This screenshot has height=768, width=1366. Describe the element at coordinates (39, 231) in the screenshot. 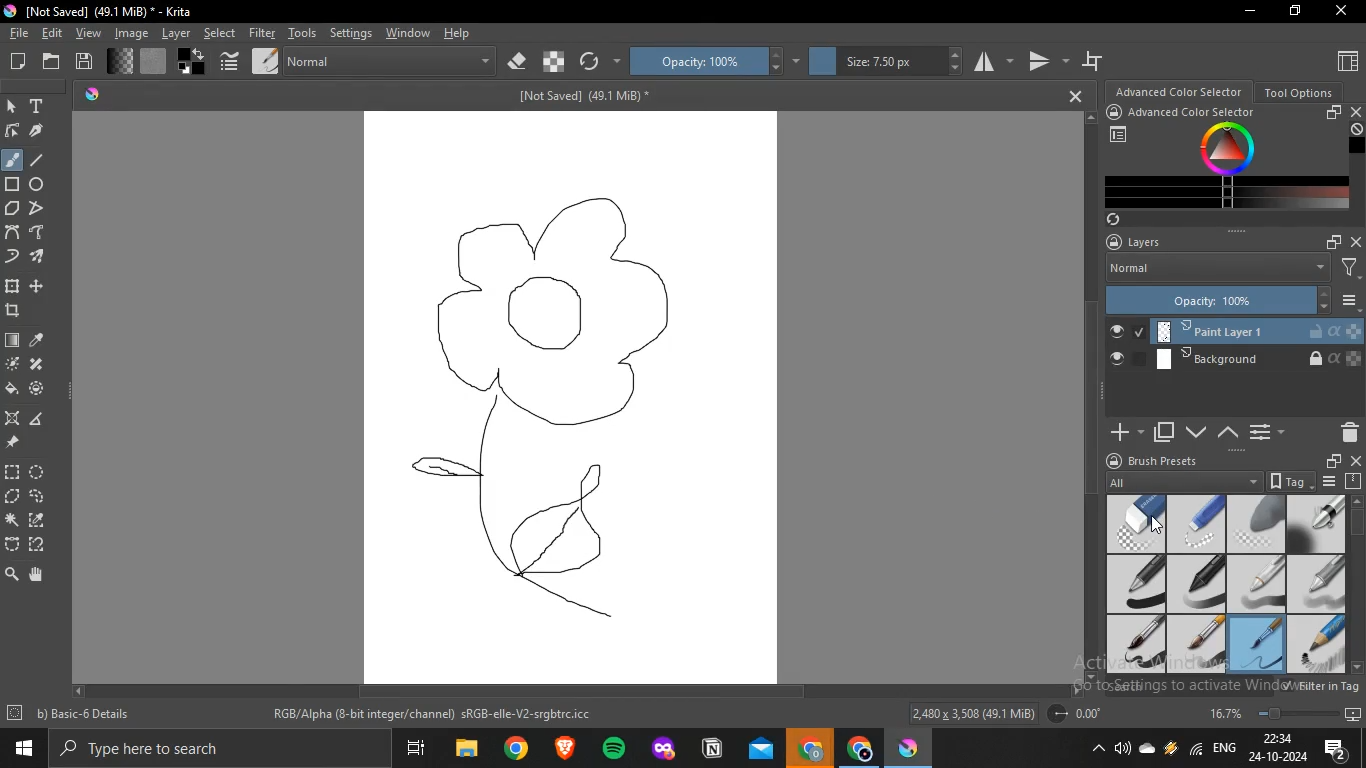

I see `freehand path tool` at that location.